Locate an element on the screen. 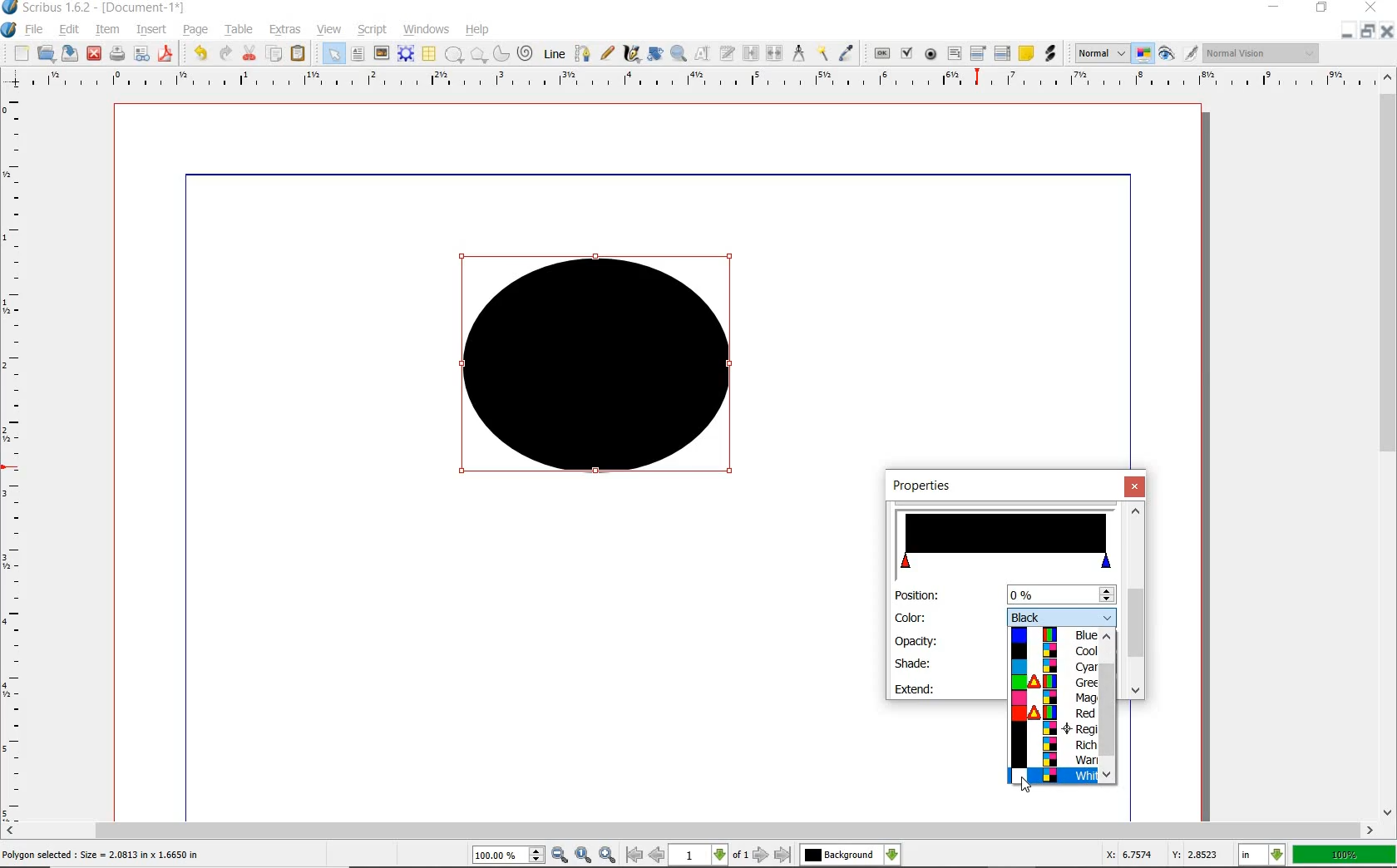 Image resolution: width=1397 pixels, height=868 pixels. extend is located at coordinates (916, 688).